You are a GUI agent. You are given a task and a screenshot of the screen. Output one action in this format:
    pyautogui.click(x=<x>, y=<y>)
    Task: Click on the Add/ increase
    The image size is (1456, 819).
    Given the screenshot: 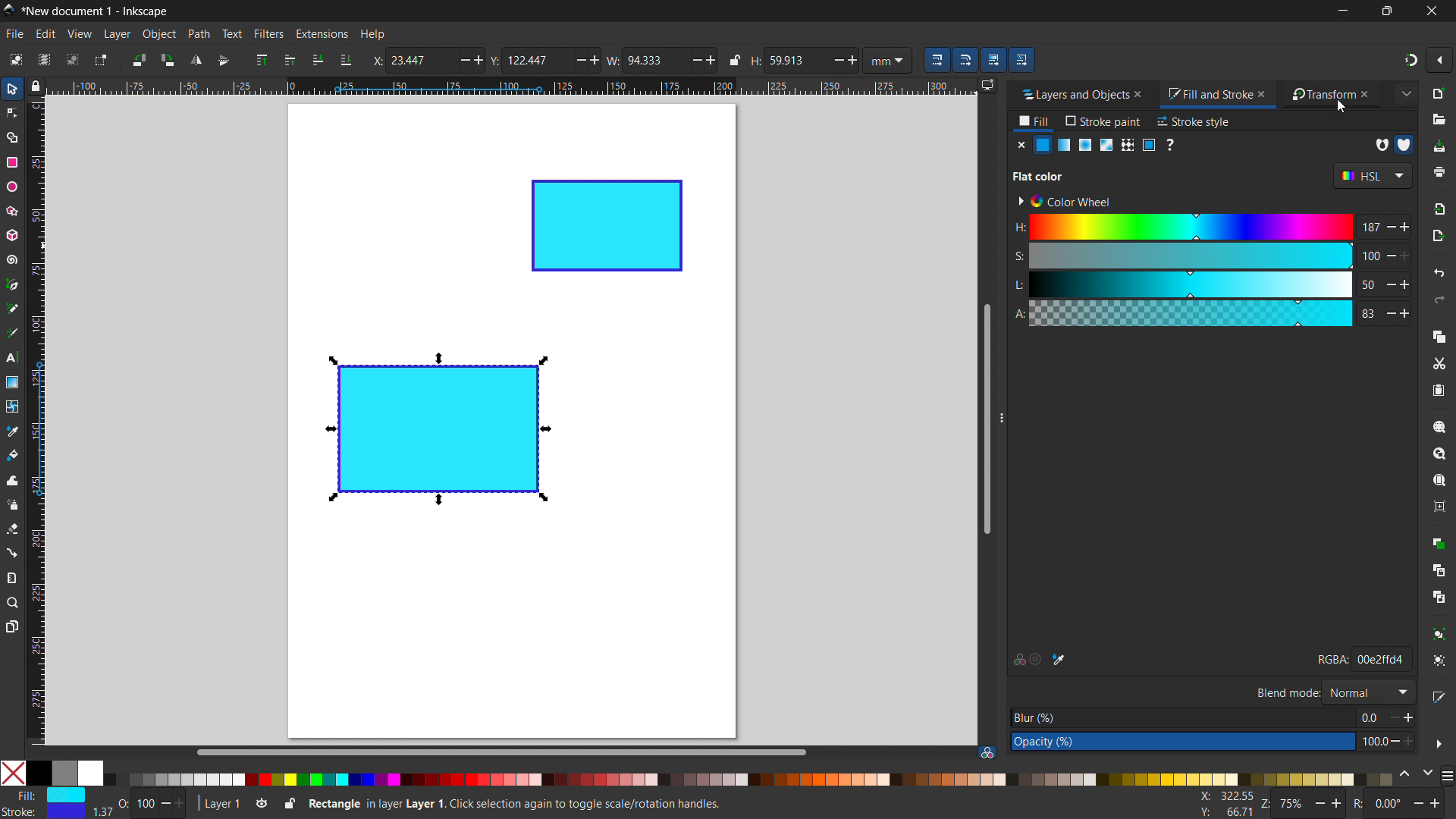 What is the action you would take?
    pyautogui.click(x=710, y=59)
    